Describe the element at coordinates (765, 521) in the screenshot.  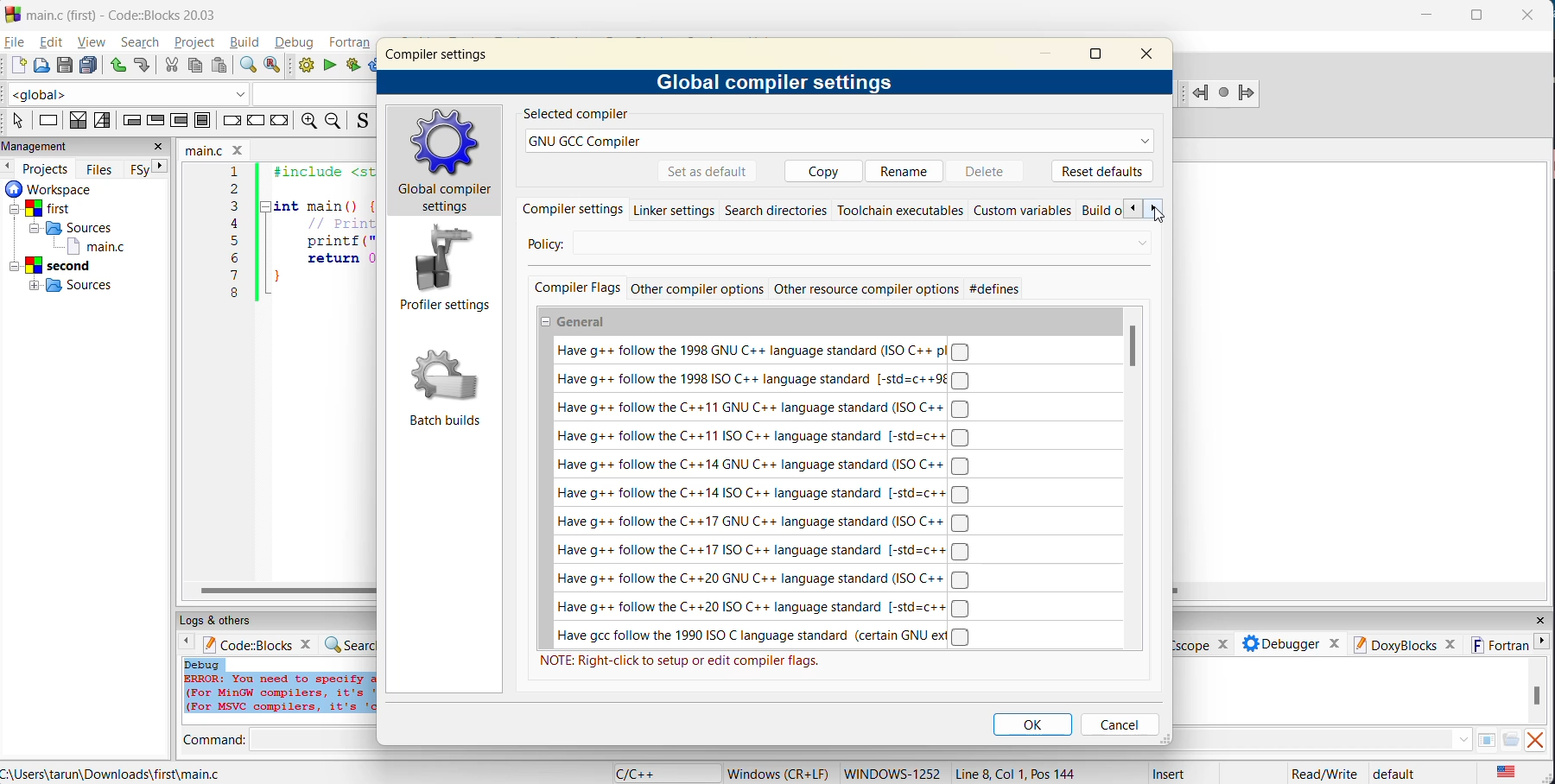
I see `Have g++ follow the C++17 GNU C++ language standard (ISO C++` at that location.